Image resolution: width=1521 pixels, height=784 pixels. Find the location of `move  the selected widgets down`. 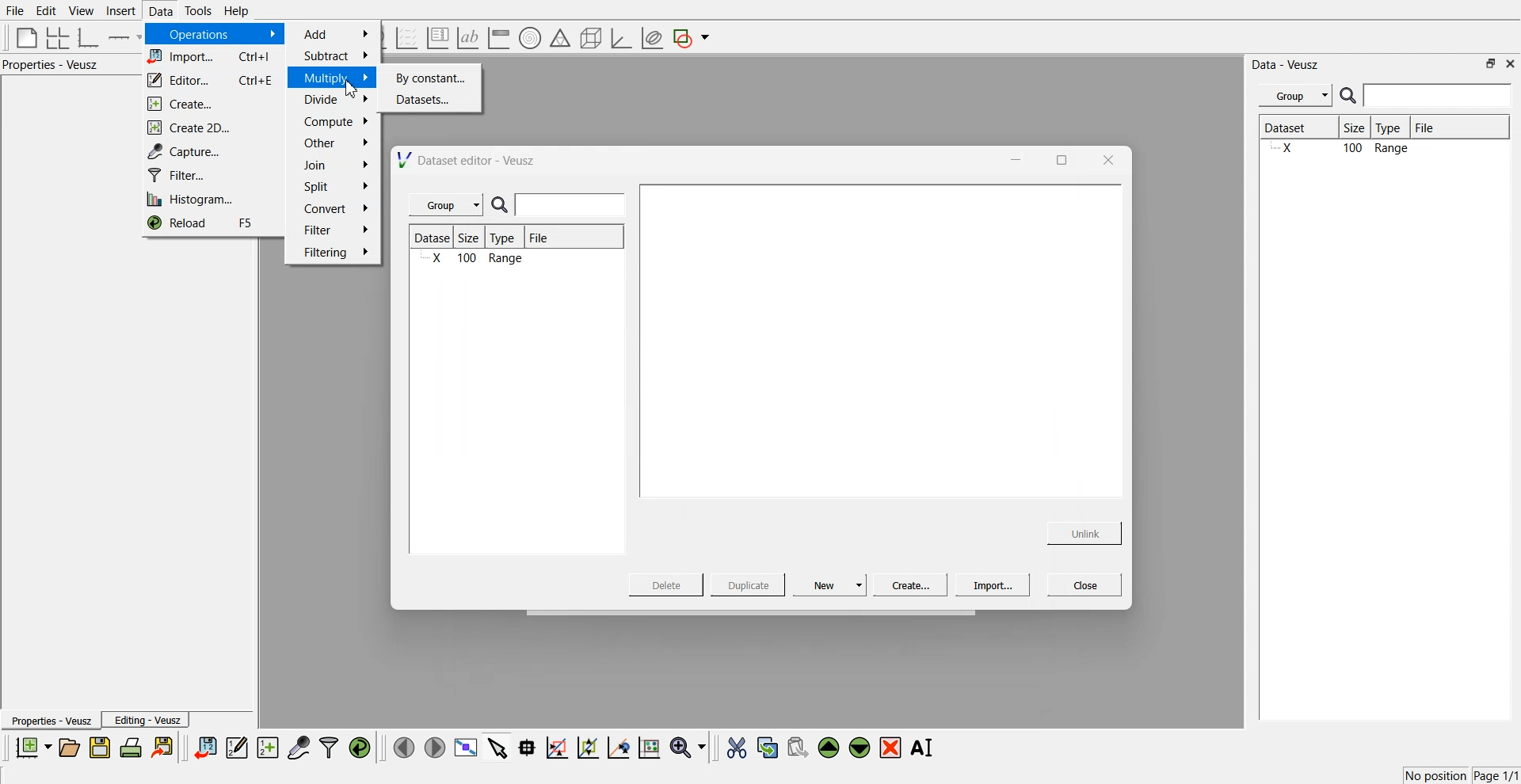

move  the selected widgets down is located at coordinates (860, 746).